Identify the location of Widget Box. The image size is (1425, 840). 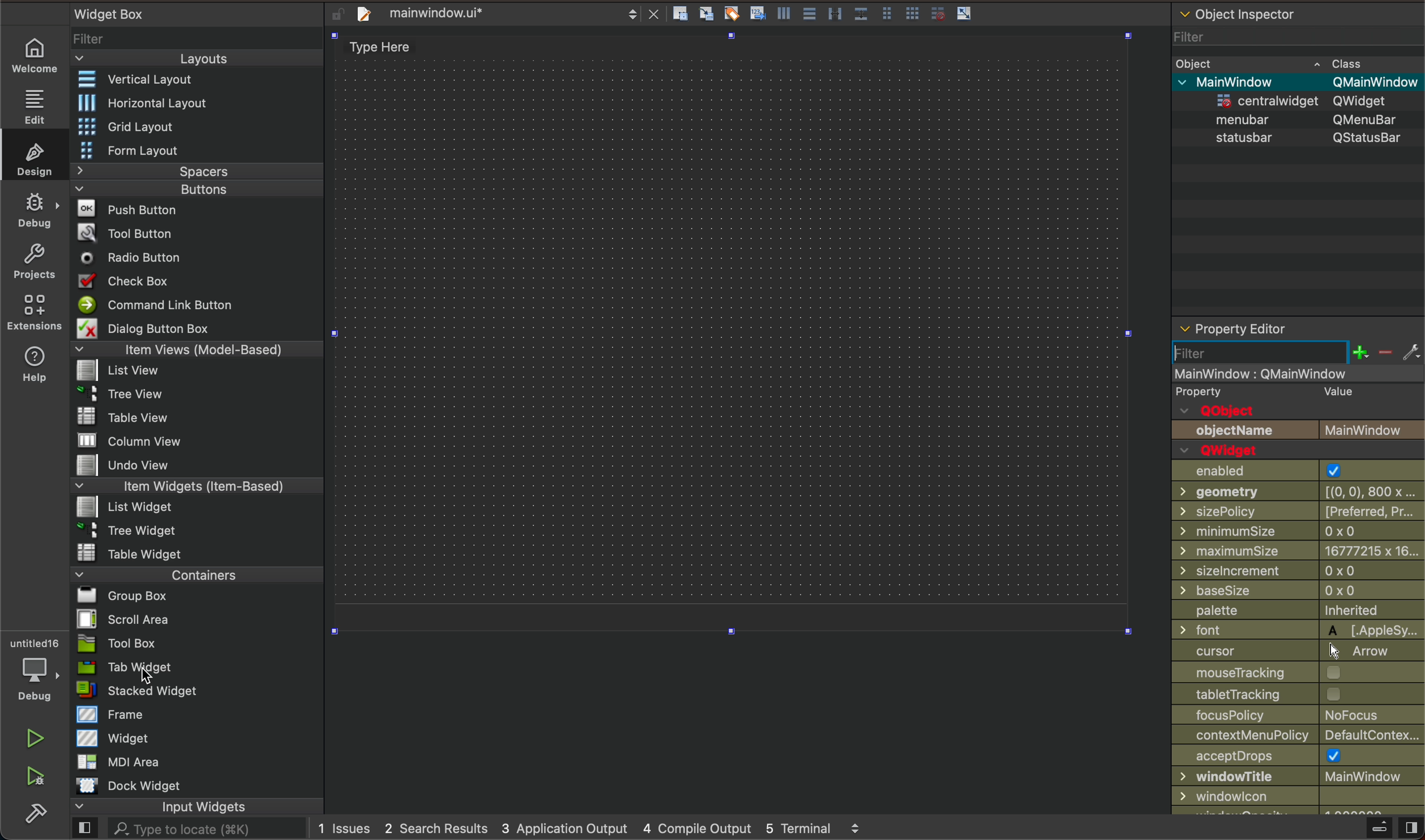
(105, 14).